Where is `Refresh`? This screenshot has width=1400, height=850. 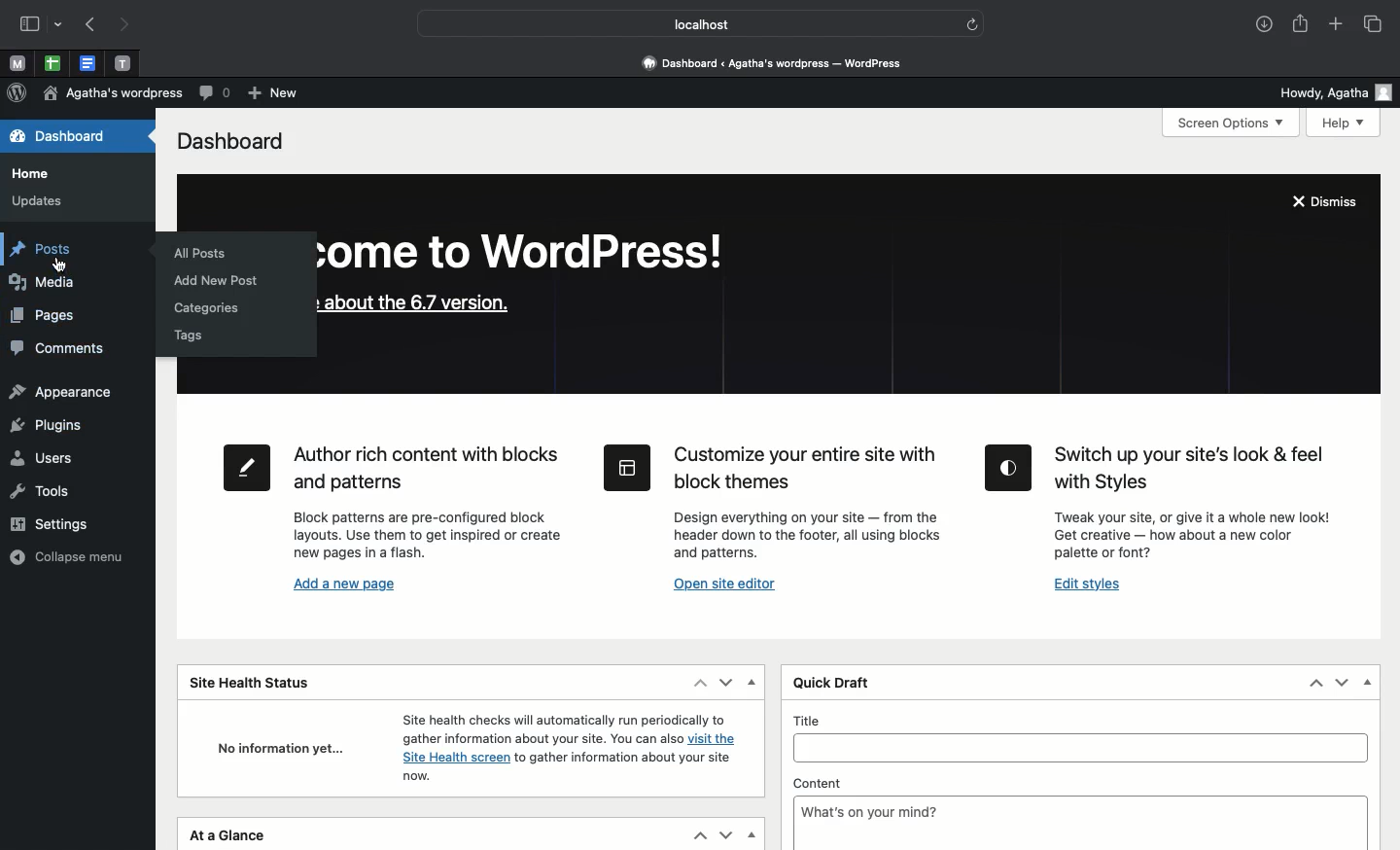 Refresh is located at coordinates (972, 23).